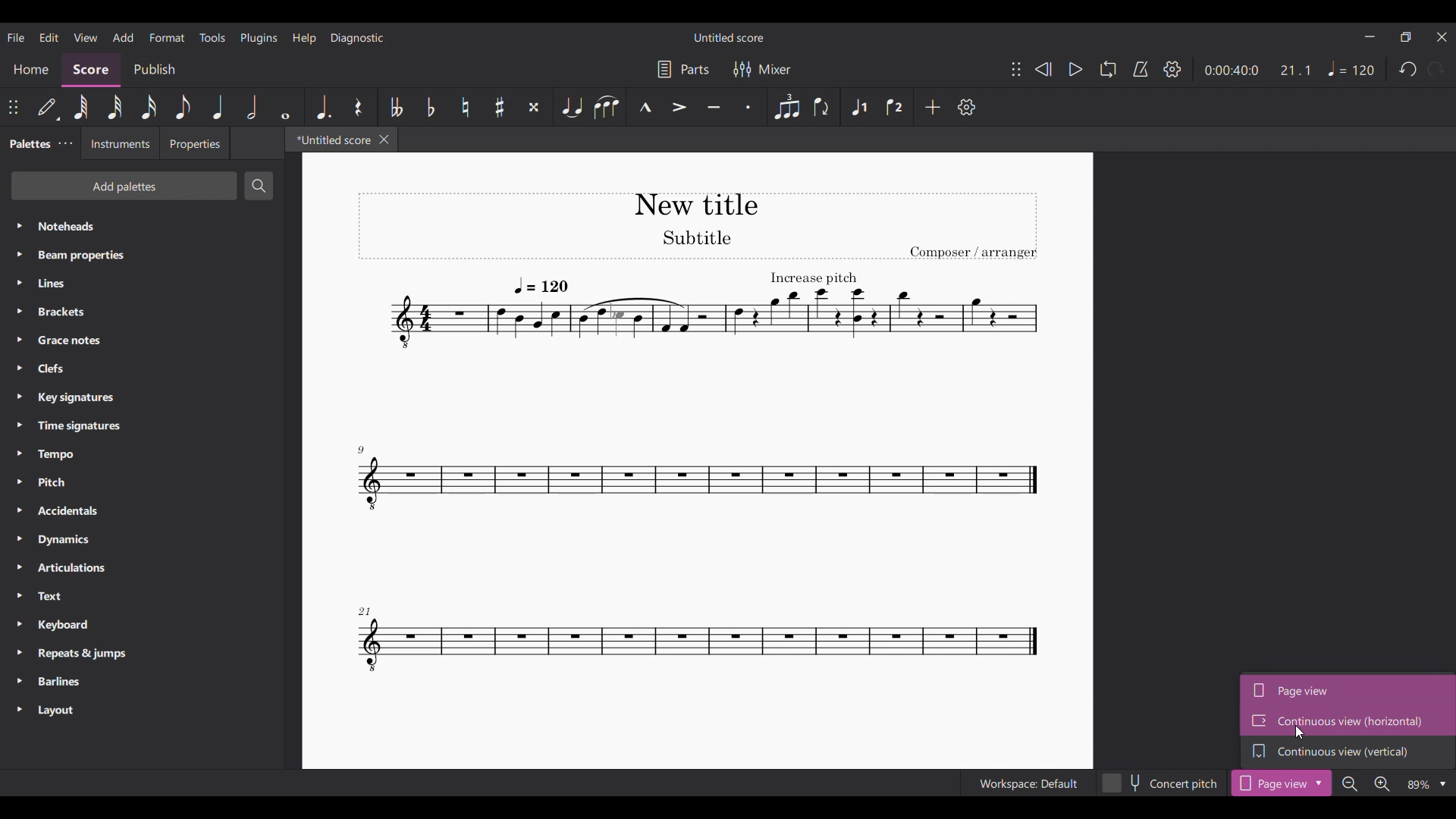 The height and width of the screenshot is (819, 1456). I want to click on 32nd note, so click(115, 108).